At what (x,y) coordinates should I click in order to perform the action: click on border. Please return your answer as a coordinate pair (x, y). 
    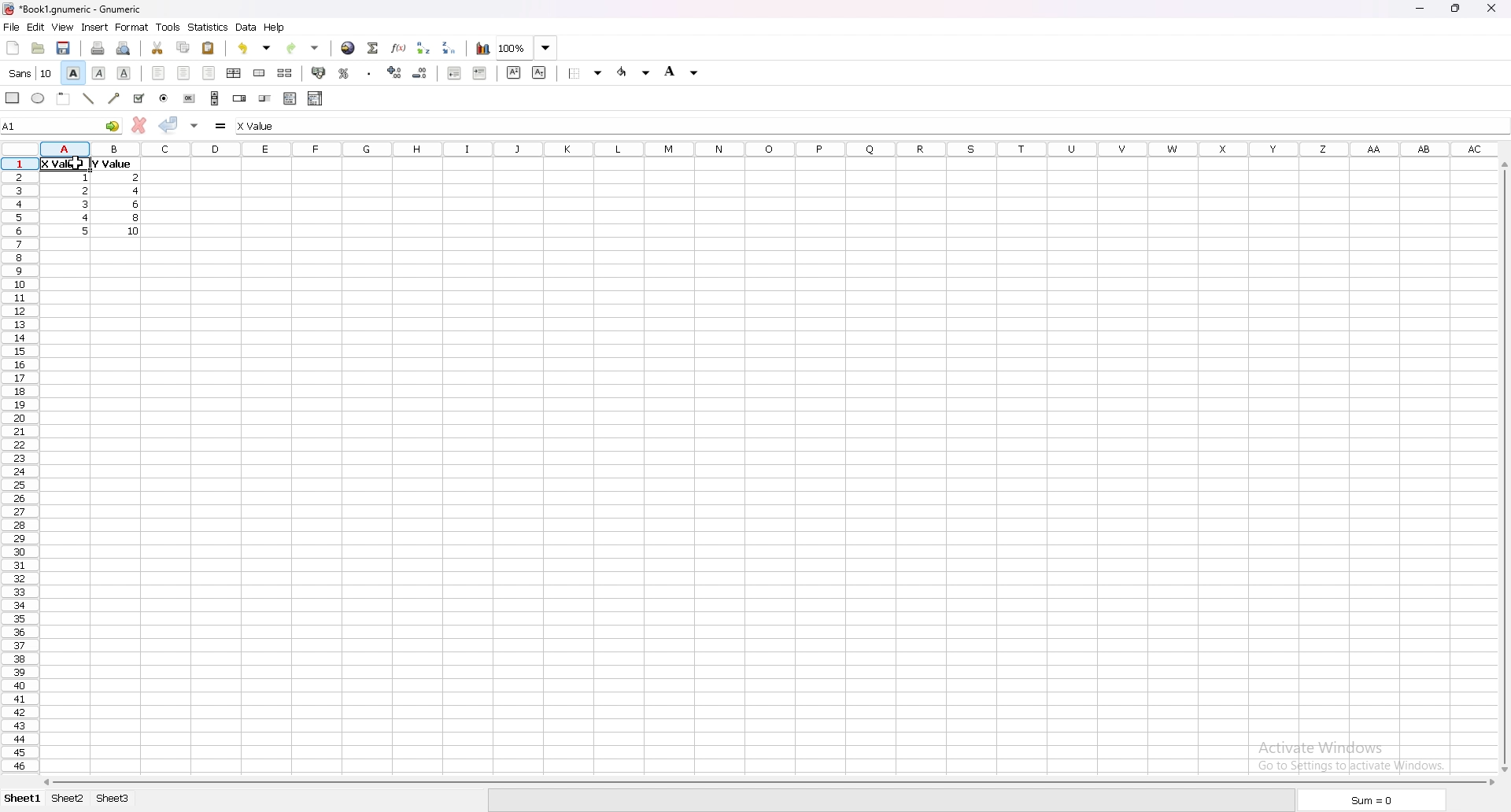
    Looking at the image, I should click on (587, 72).